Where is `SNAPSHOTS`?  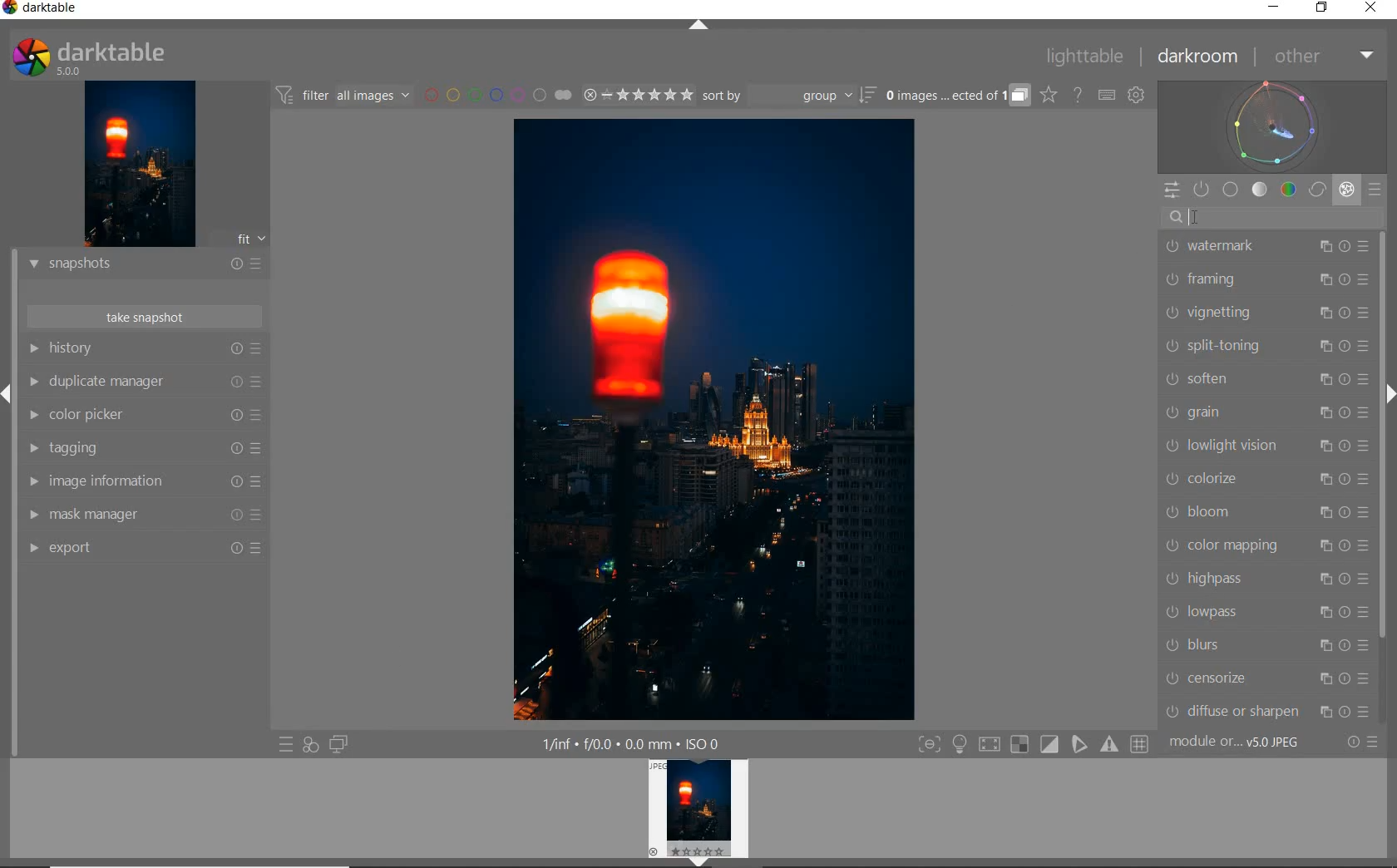
SNAPSHOTS is located at coordinates (117, 264).